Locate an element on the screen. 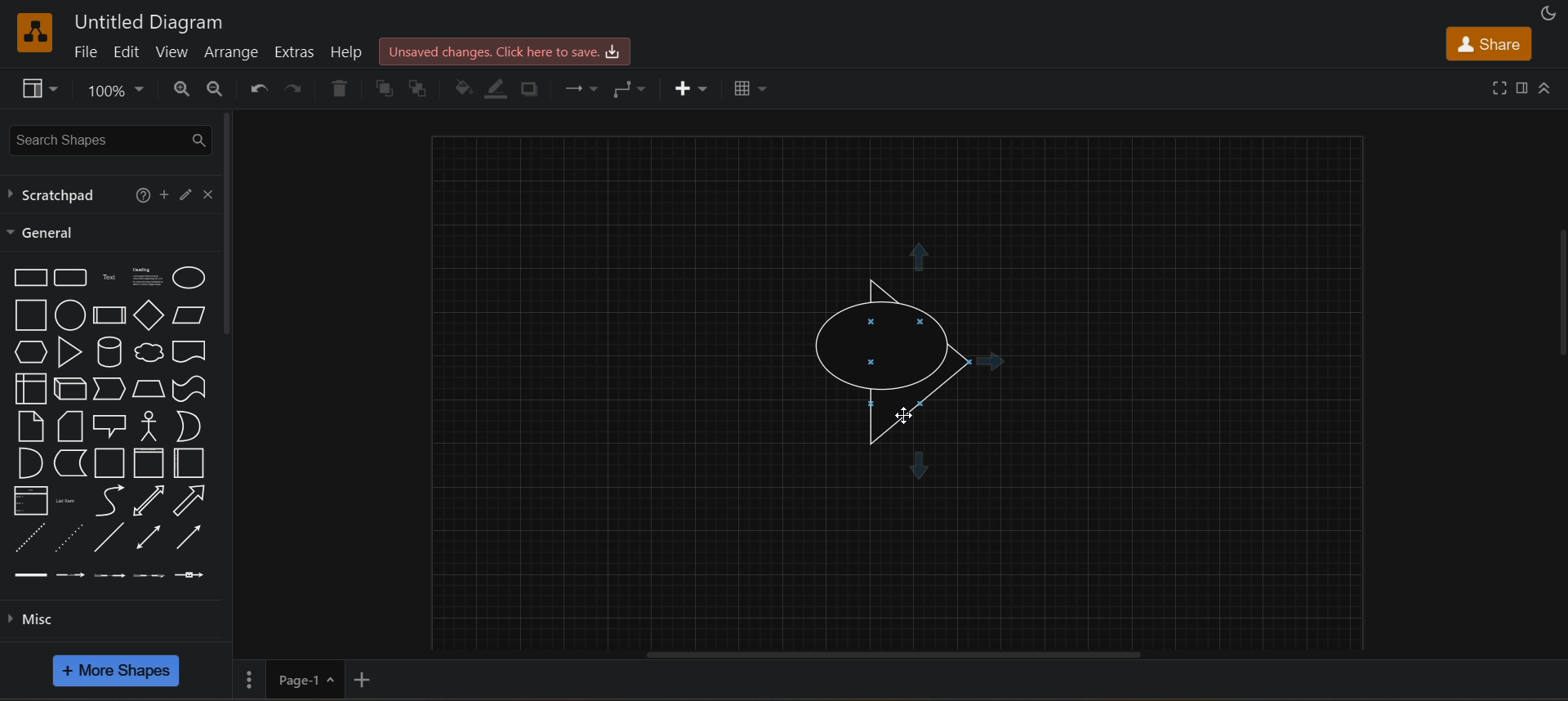 This screenshot has width=1568, height=701. more shapes is located at coordinates (118, 671).